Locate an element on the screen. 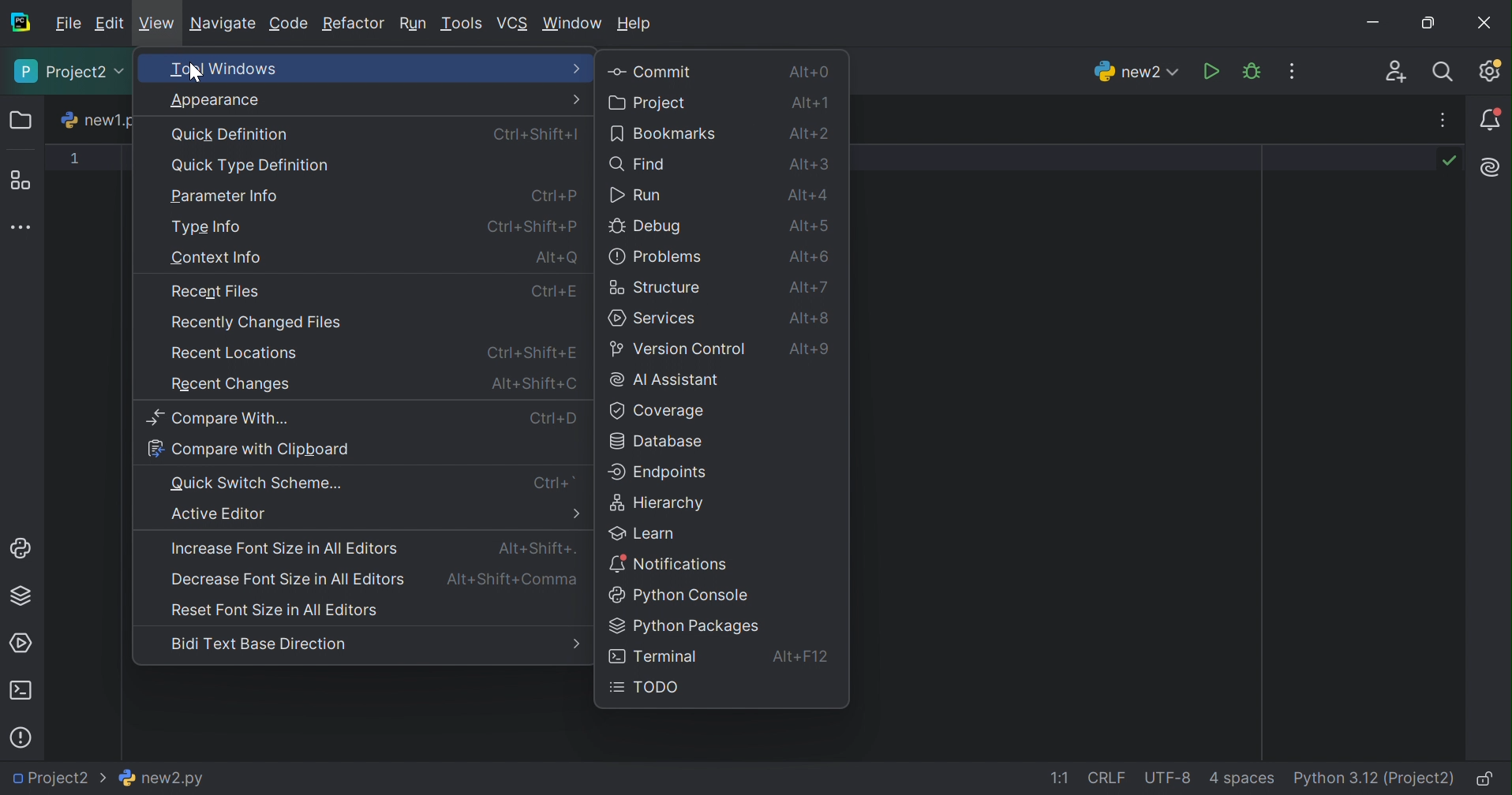 Image resolution: width=1512 pixels, height=795 pixels. Type info is located at coordinates (206, 226).